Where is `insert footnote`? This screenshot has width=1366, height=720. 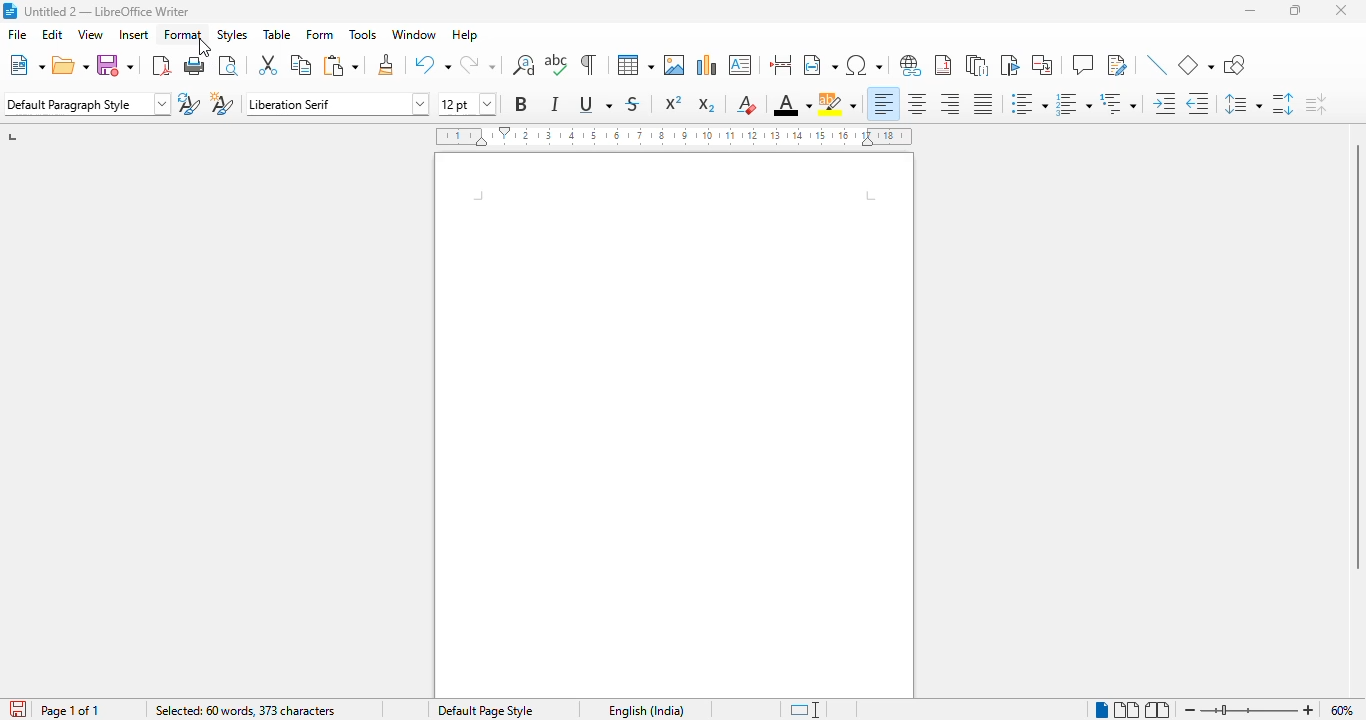
insert footnote is located at coordinates (944, 65).